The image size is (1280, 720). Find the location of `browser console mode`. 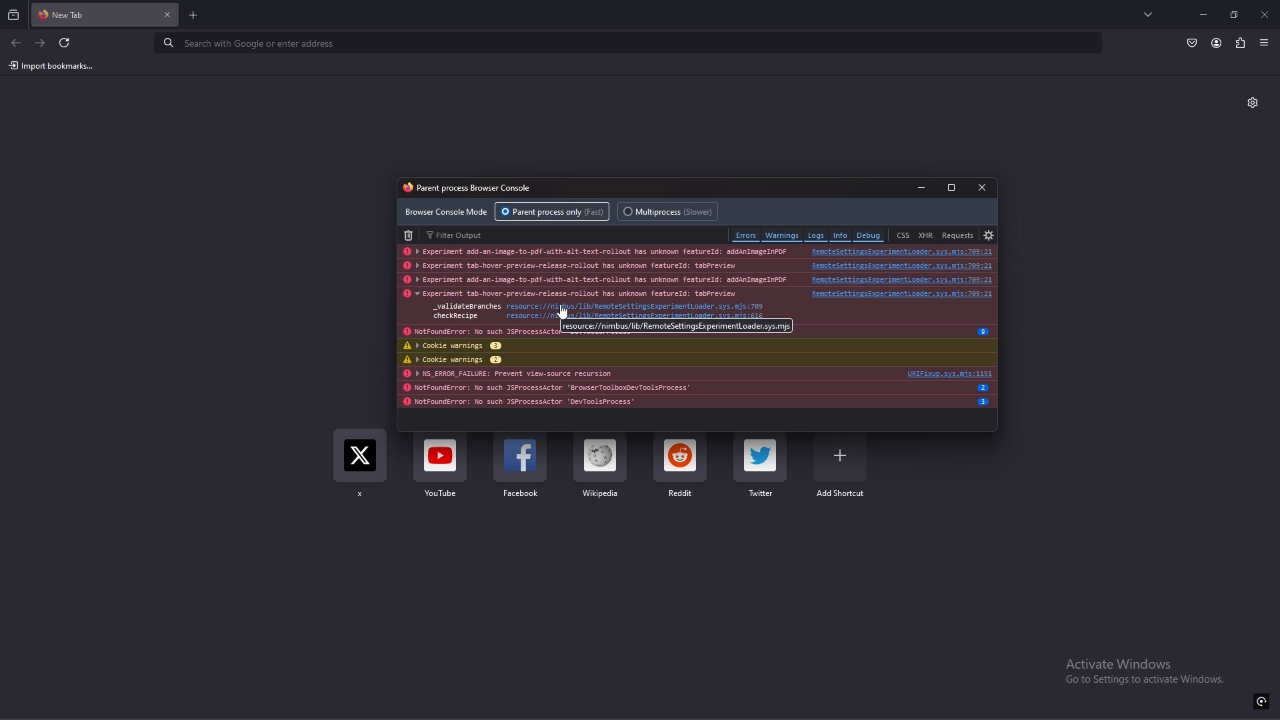

browser console mode is located at coordinates (446, 211).